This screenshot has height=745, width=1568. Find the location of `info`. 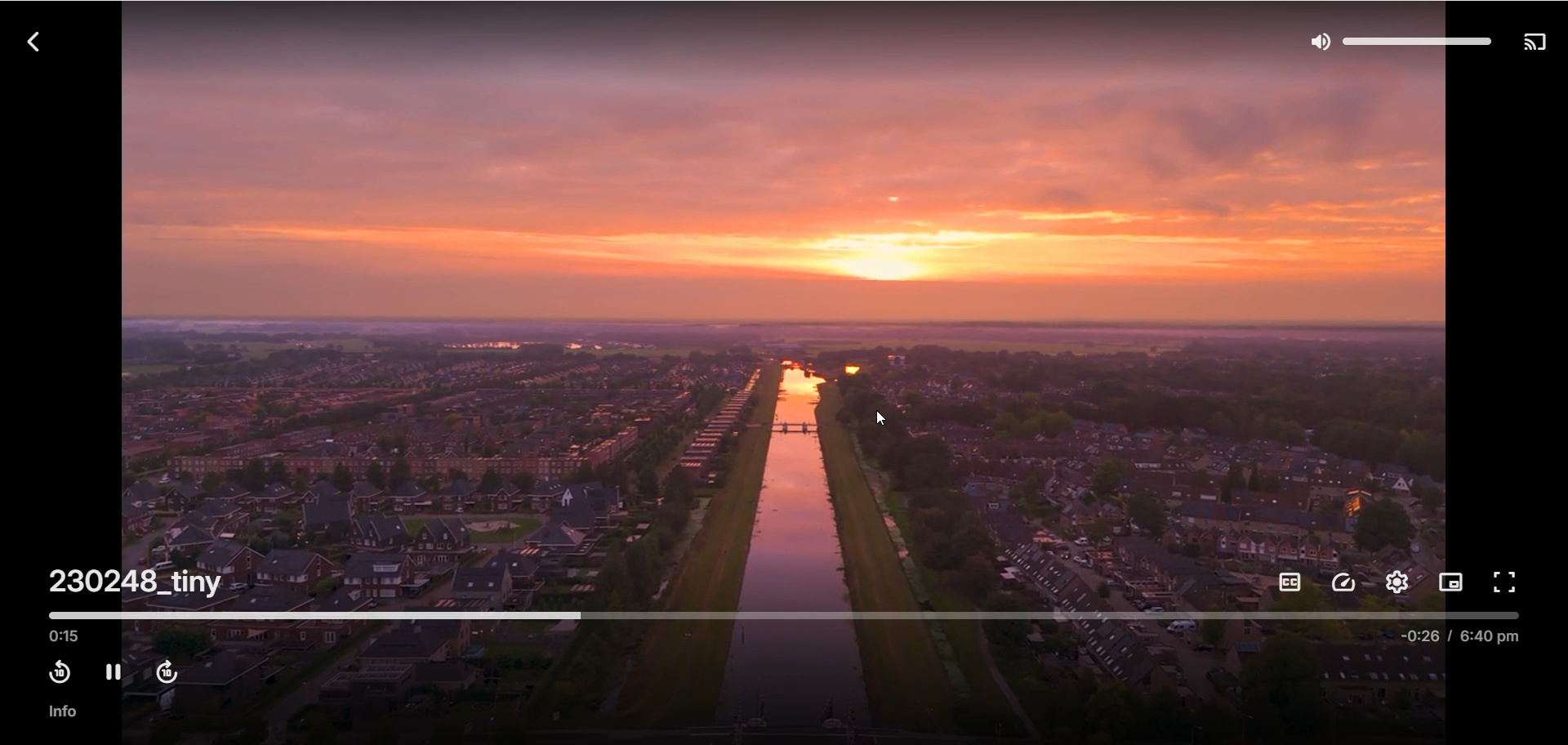

info is located at coordinates (65, 712).